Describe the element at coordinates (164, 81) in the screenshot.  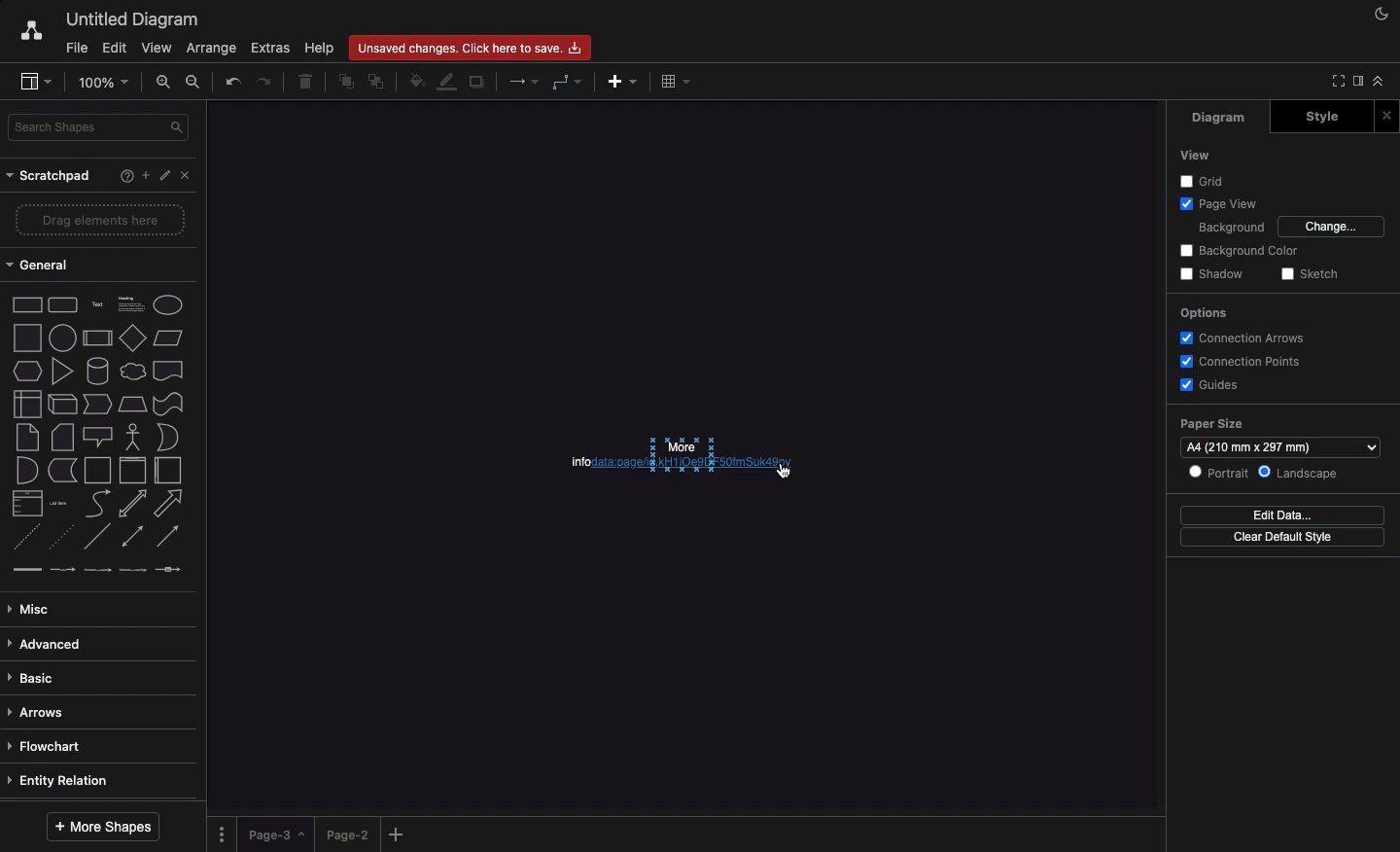
I see `Zoom in` at that location.